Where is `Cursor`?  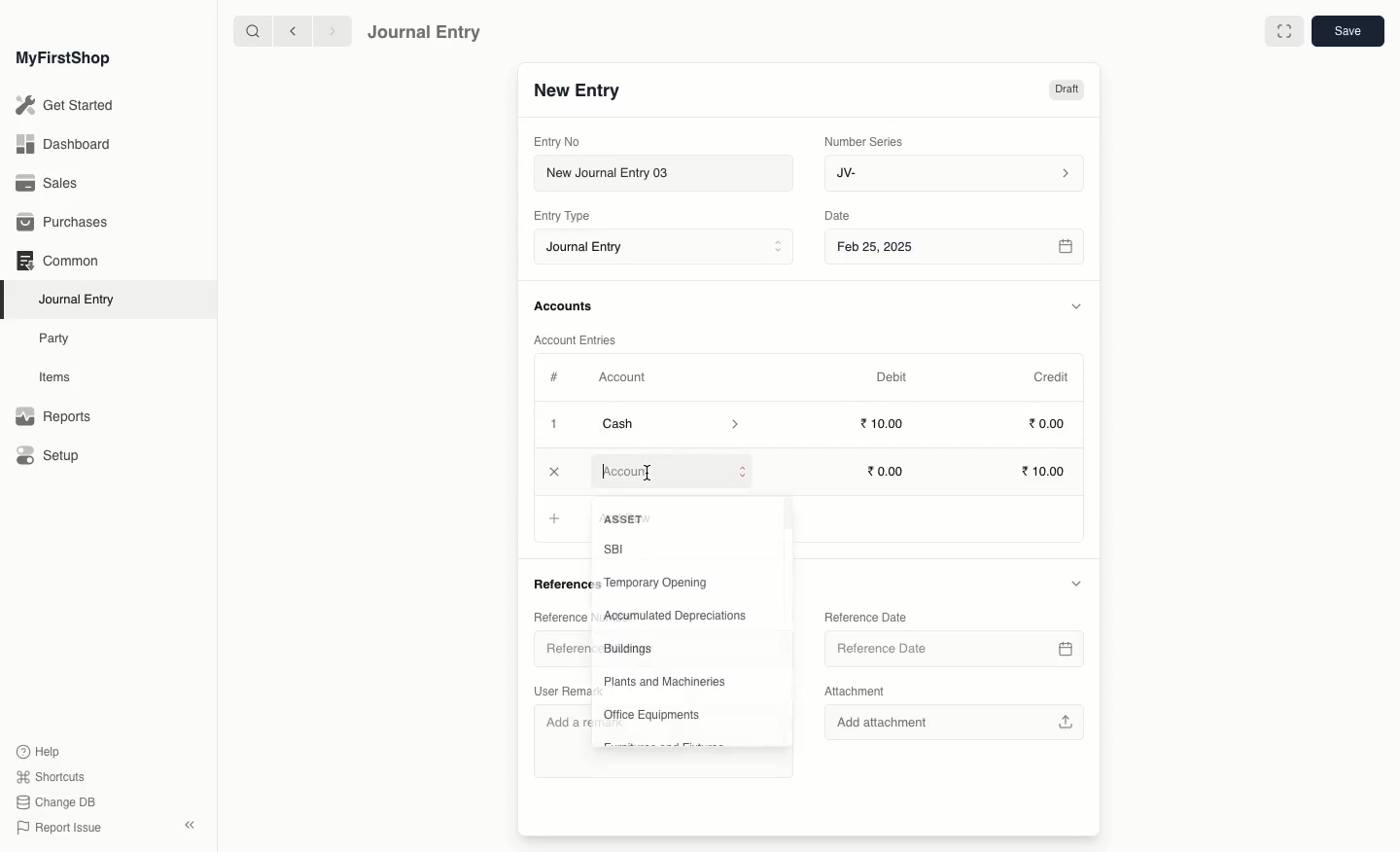 Cursor is located at coordinates (648, 473).